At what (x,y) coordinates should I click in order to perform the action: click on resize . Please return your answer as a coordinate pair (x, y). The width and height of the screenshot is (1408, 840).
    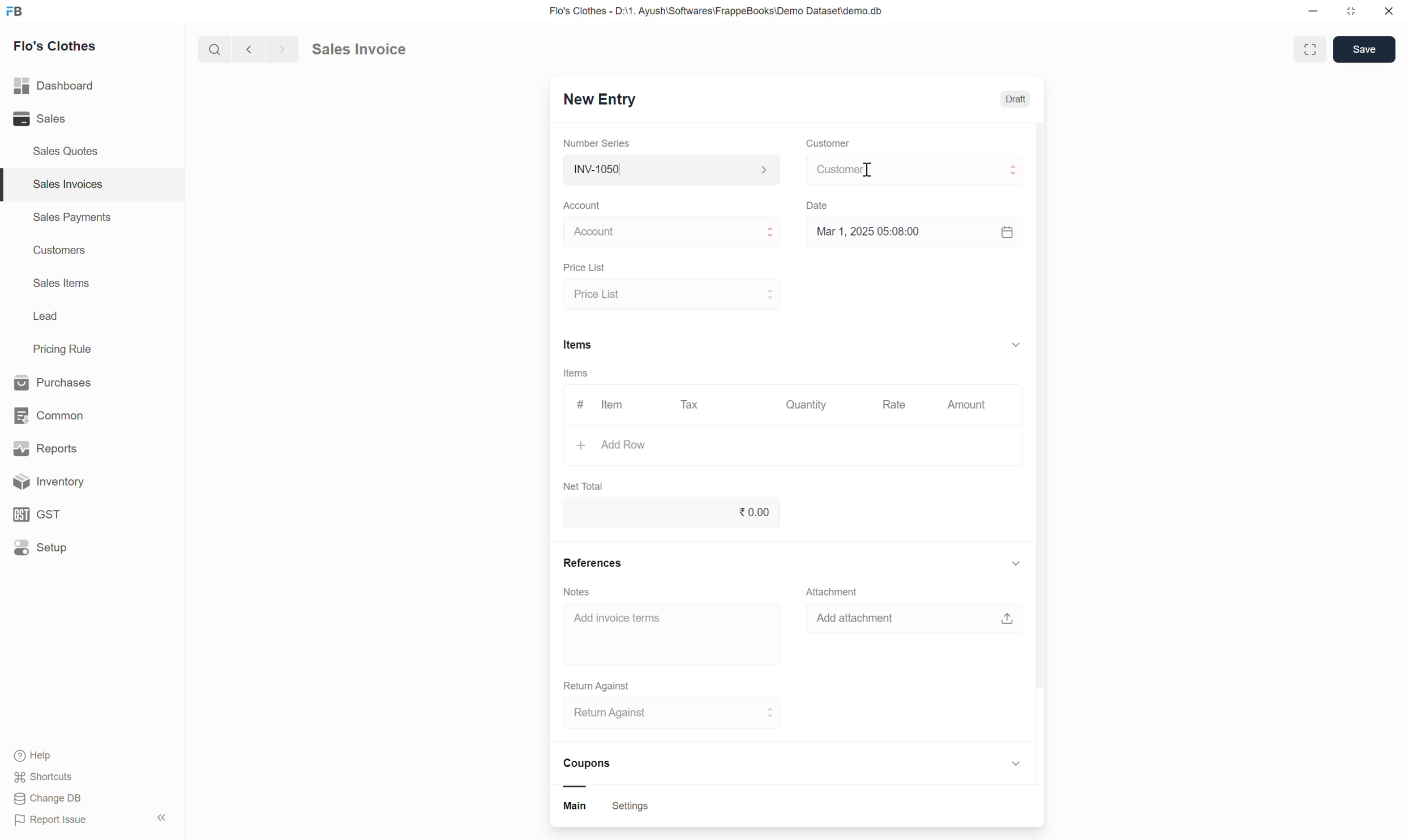
    Looking at the image, I should click on (1355, 14).